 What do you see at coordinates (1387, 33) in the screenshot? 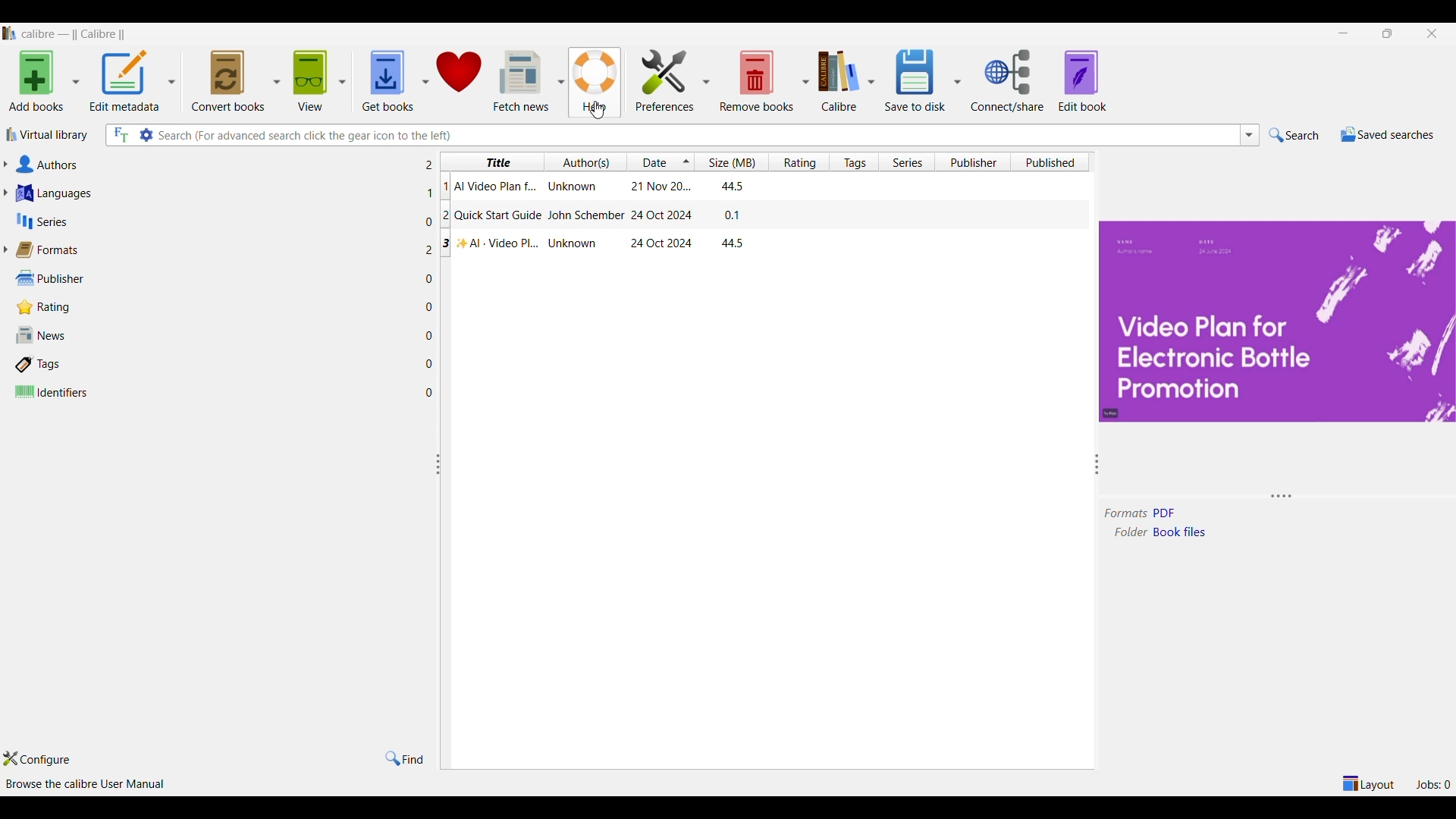
I see `Show interface in a smaller tab` at bounding box center [1387, 33].